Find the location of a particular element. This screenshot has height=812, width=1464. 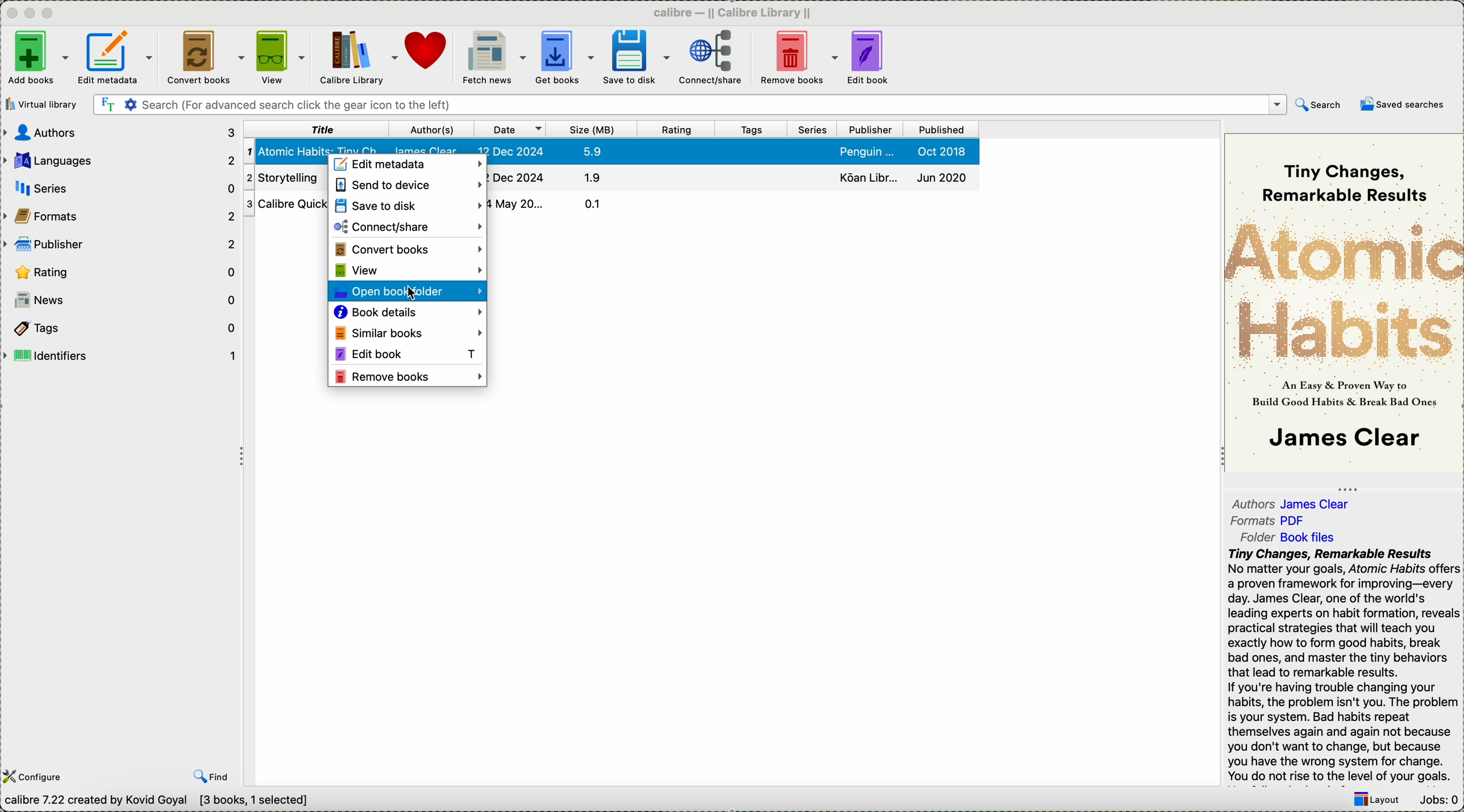

virtual library is located at coordinates (44, 104).